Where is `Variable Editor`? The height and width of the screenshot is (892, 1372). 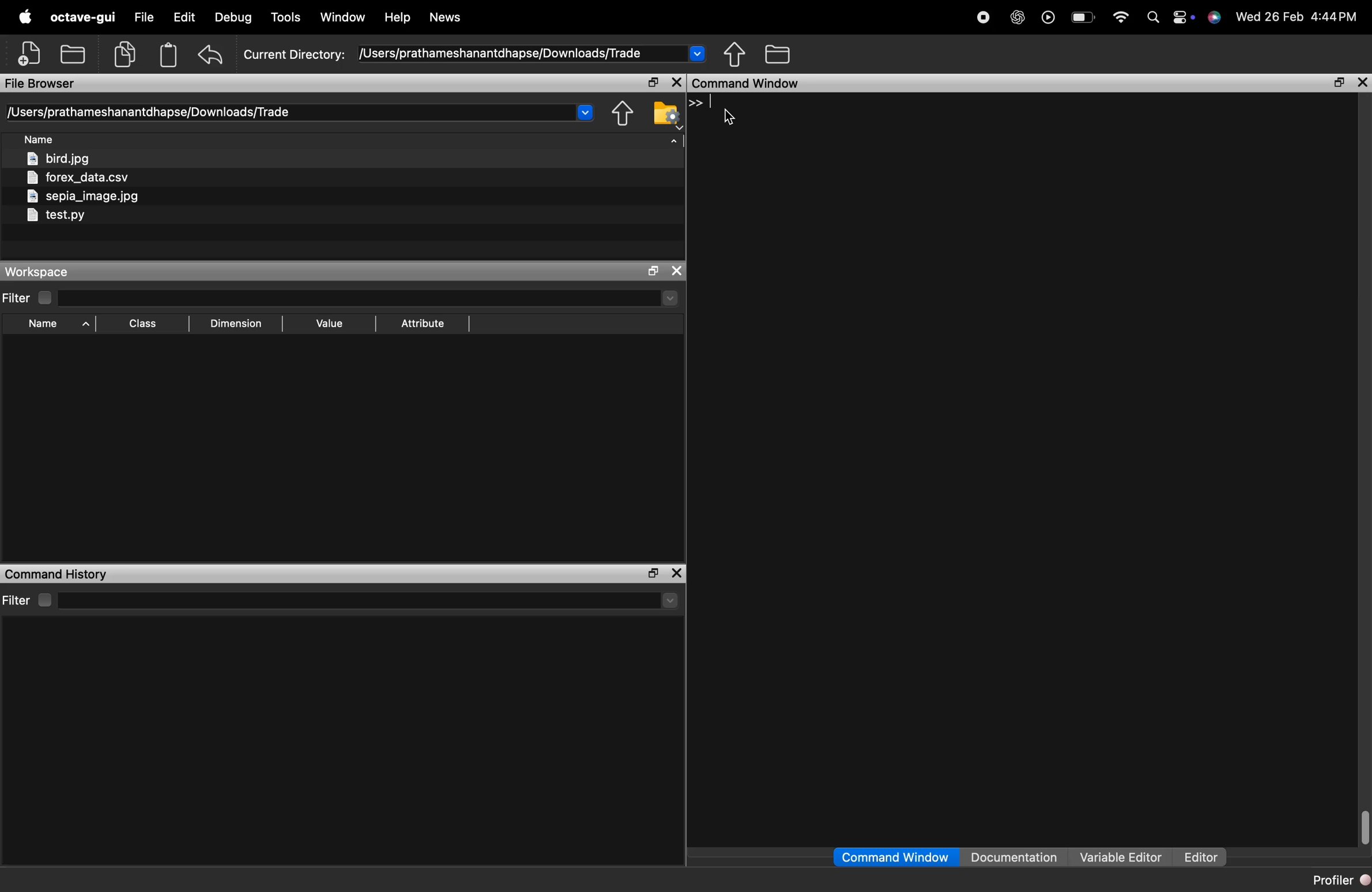 Variable Editor is located at coordinates (1123, 856).